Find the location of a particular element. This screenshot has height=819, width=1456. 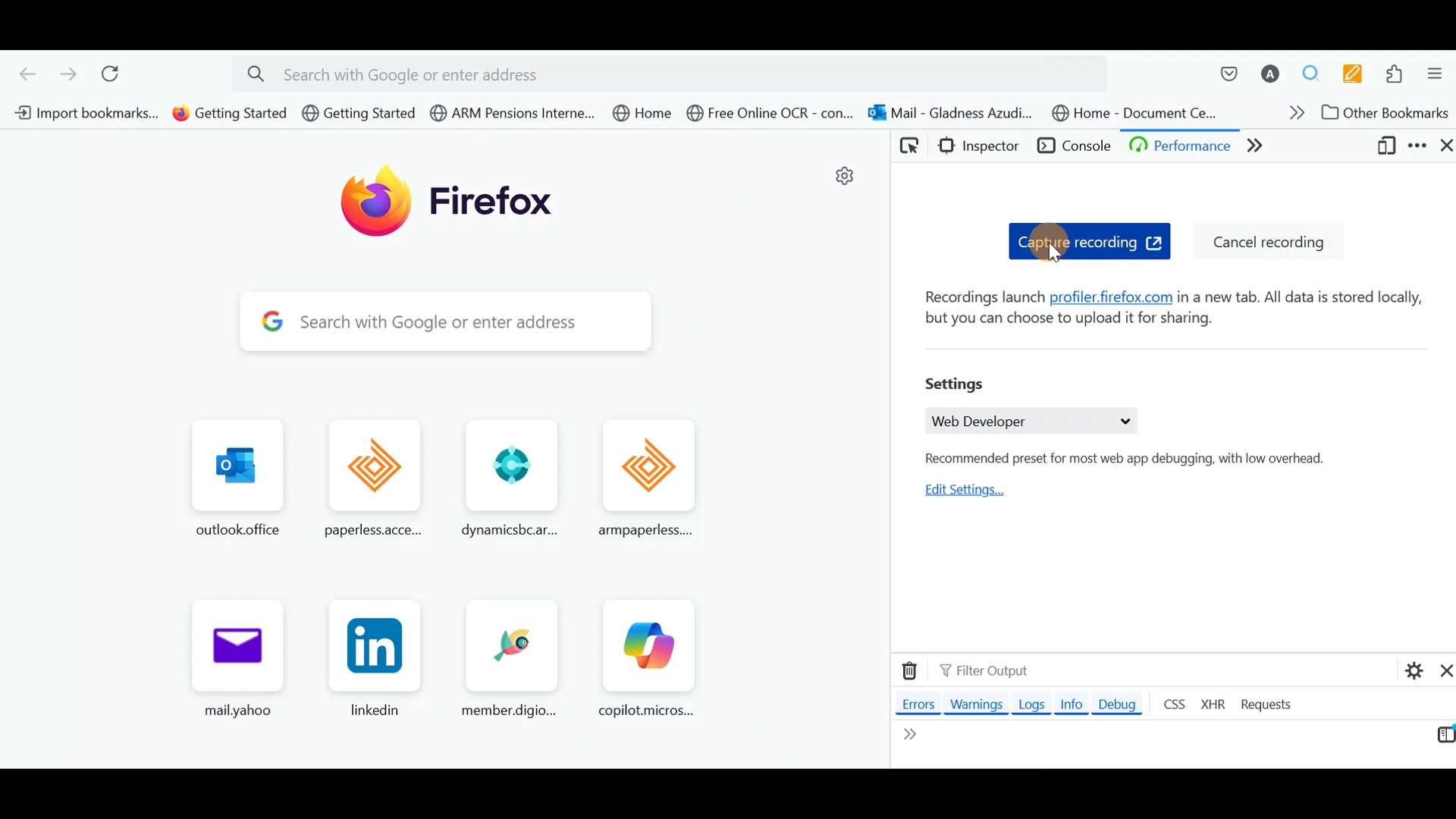

Open application menu is located at coordinates (1439, 77).